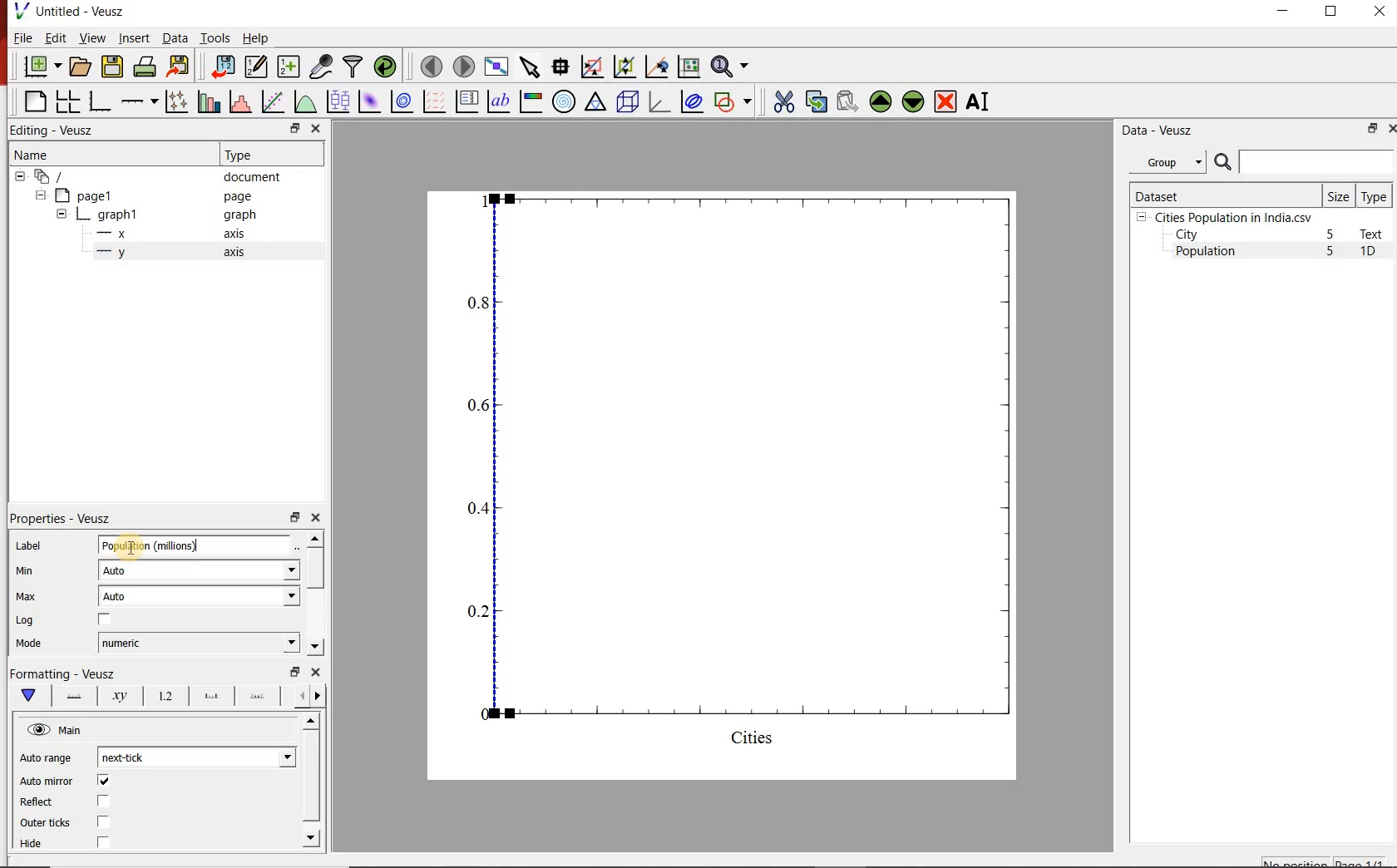  I want to click on Major ticks, so click(206, 698).